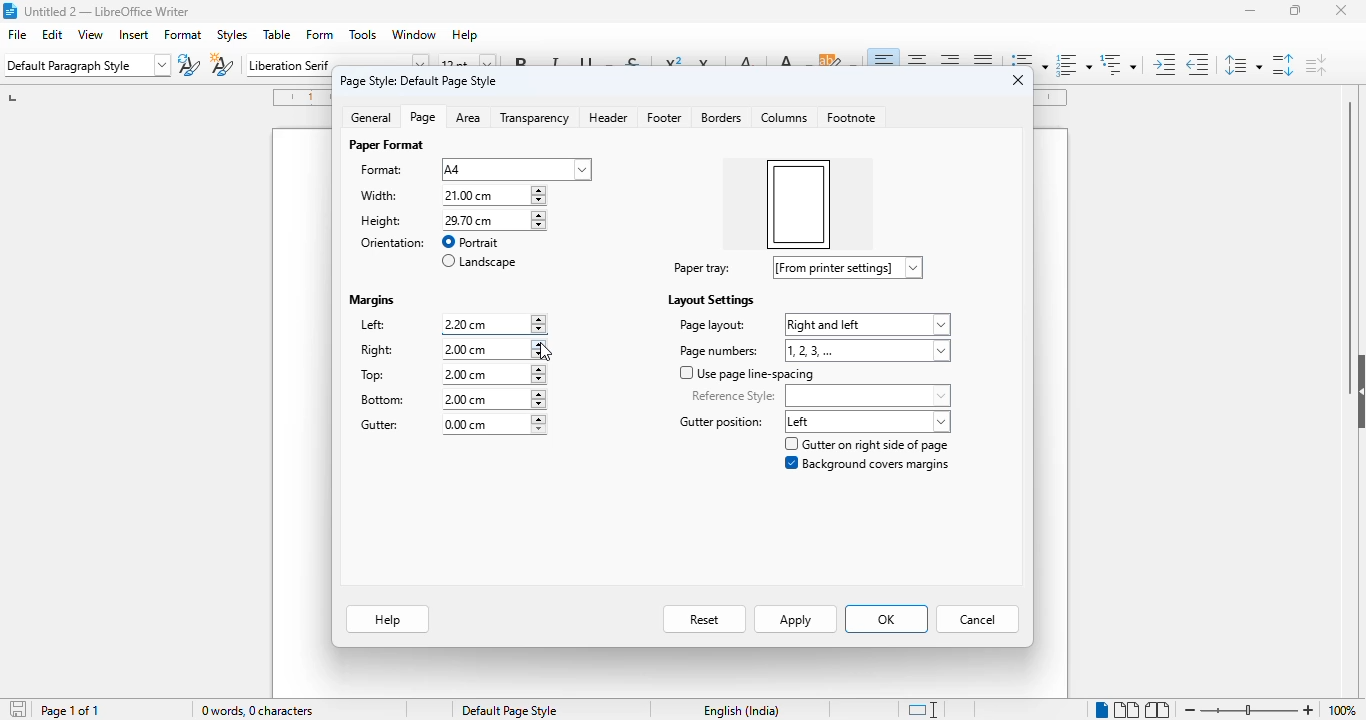 This screenshot has height=720, width=1366. I want to click on logo, so click(10, 11).